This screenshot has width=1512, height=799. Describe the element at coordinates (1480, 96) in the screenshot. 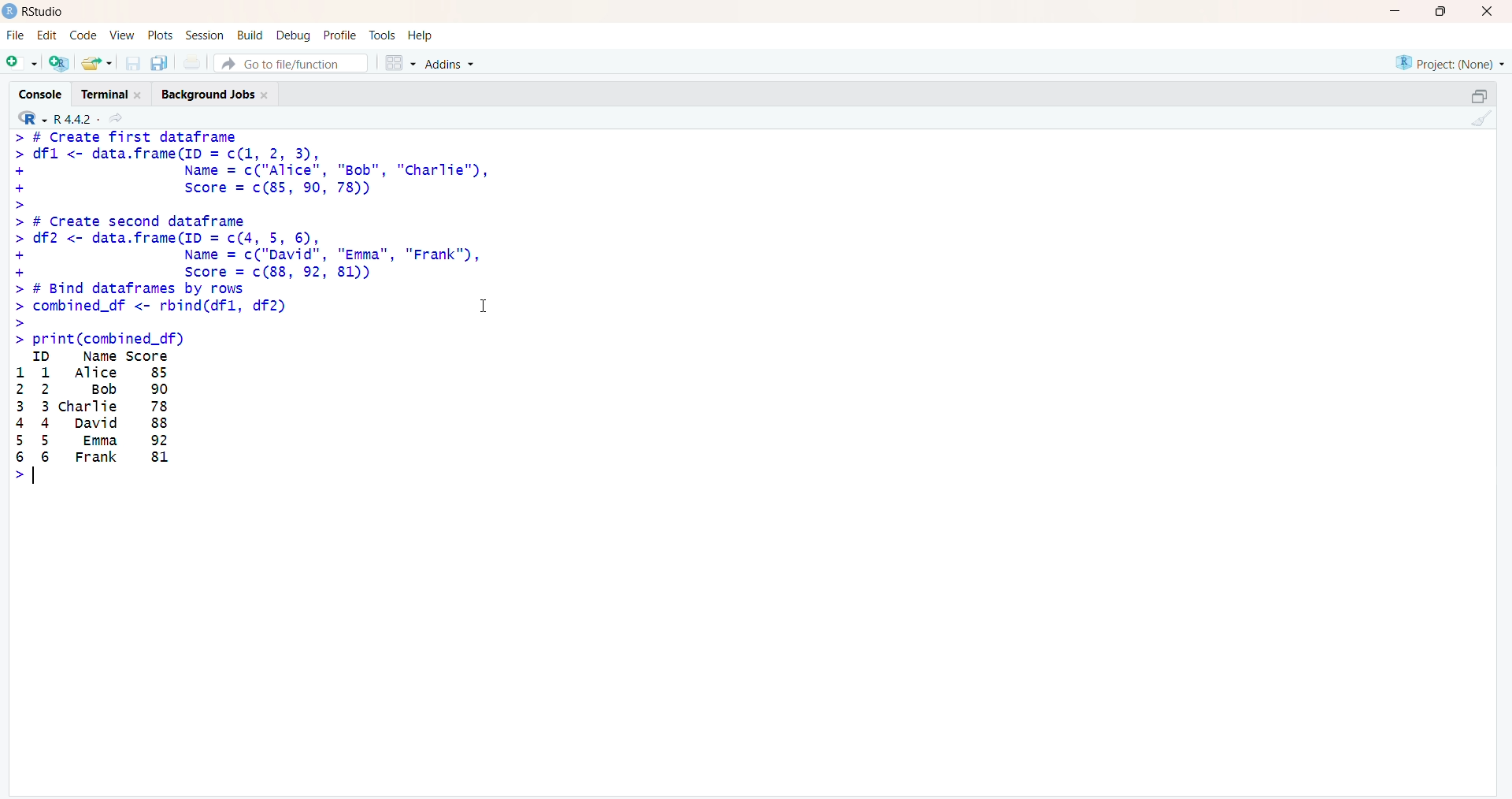

I see `minimize` at that location.